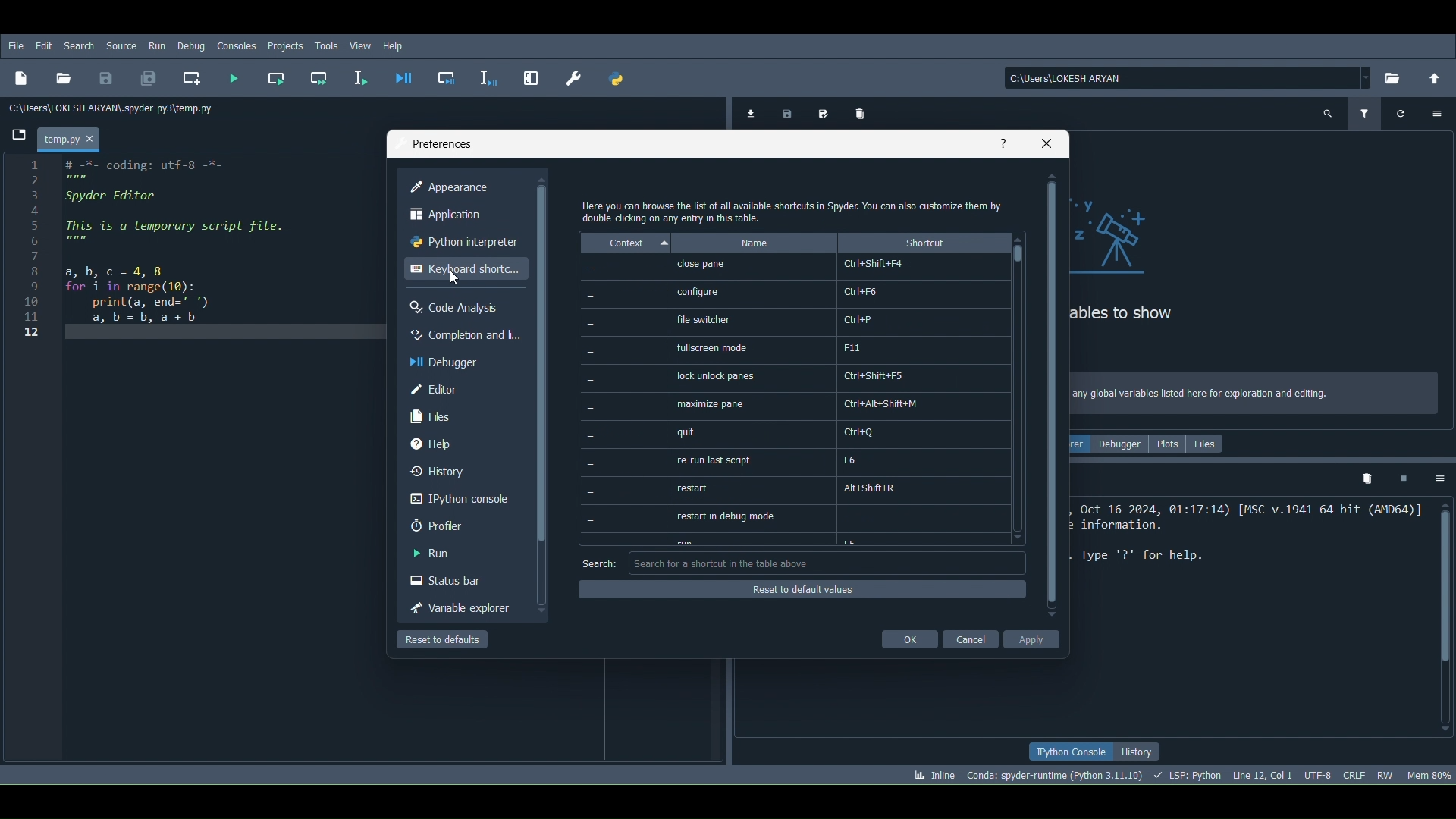 Image resolution: width=1456 pixels, height=819 pixels. Describe the element at coordinates (404, 74) in the screenshot. I see `Debug file (Ctrl + F5)` at that location.